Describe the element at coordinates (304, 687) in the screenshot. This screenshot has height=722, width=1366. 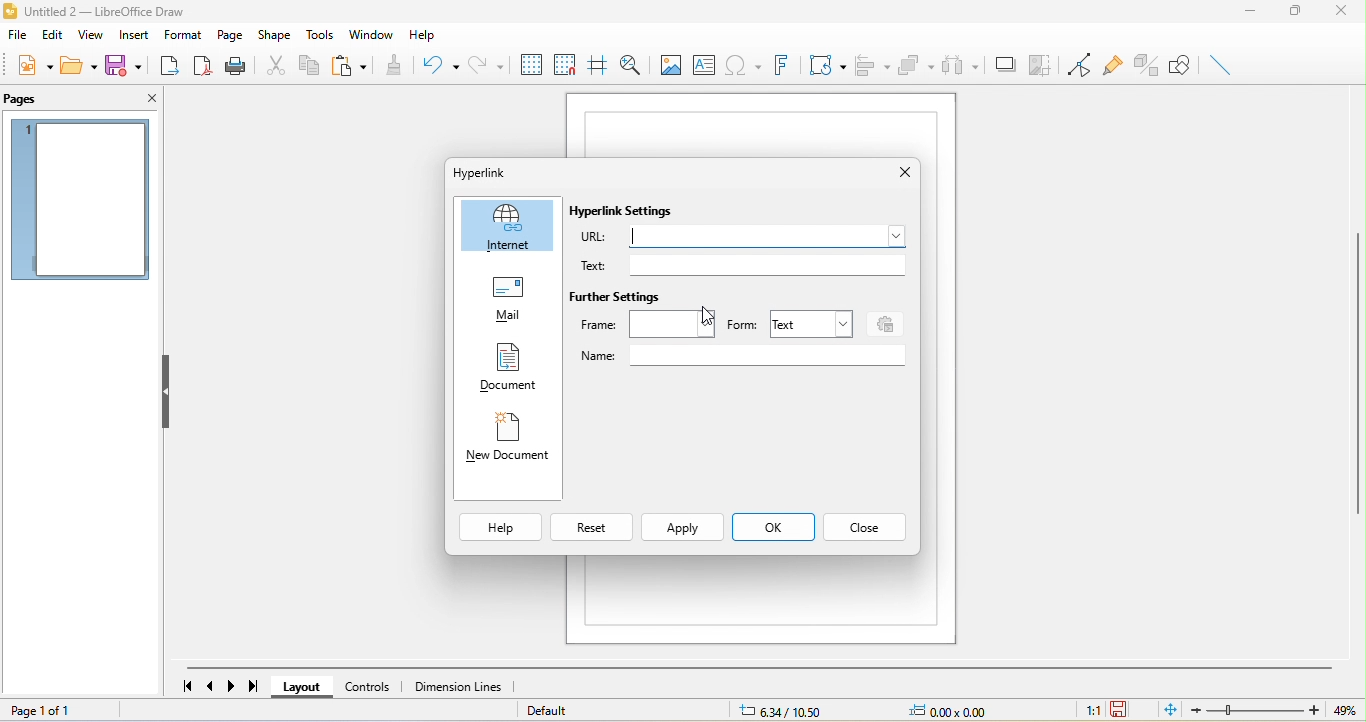
I see `layout` at that location.